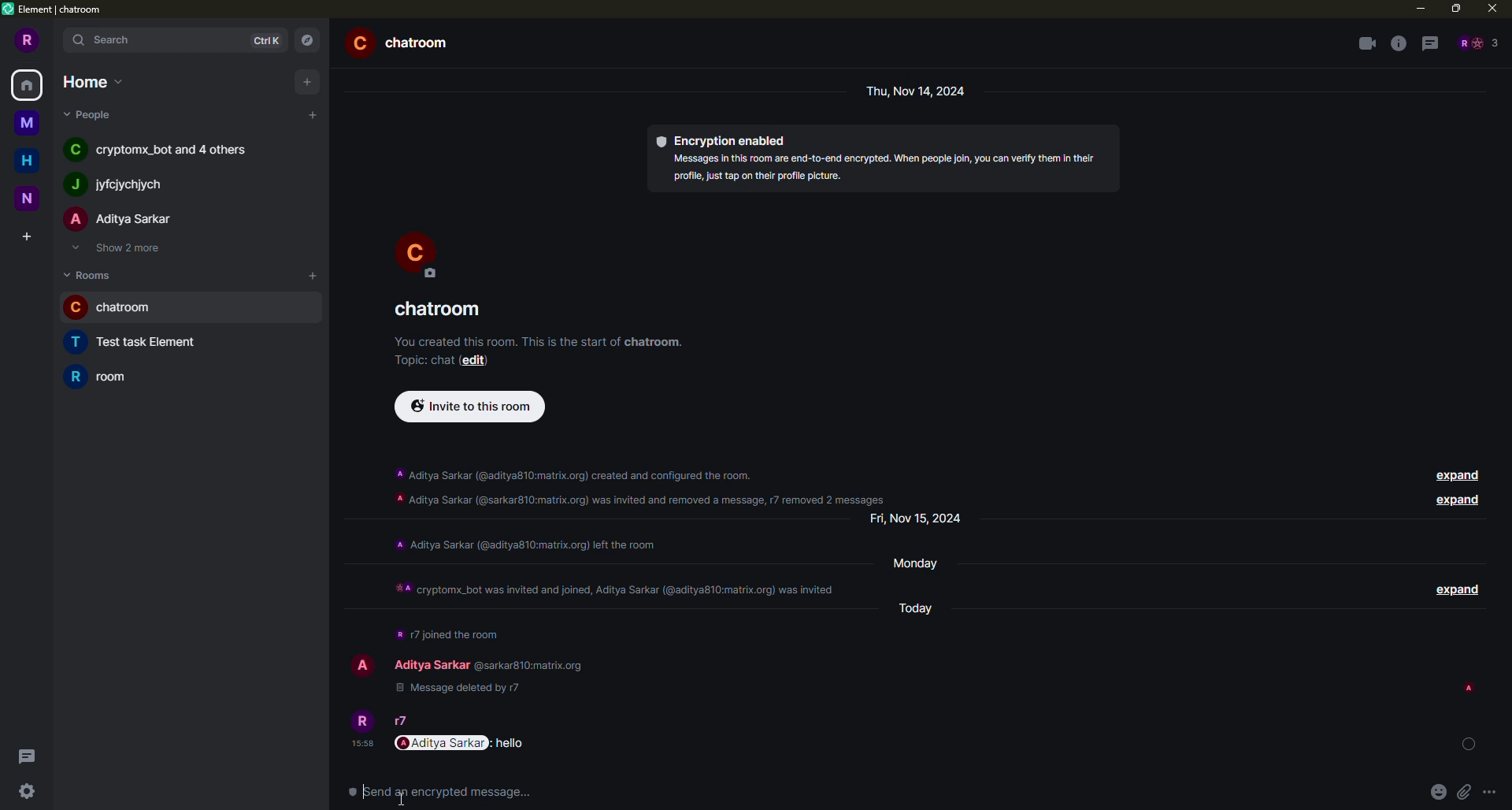 This screenshot has width=1512, height=810. I want to click on search, so click(104, 41).